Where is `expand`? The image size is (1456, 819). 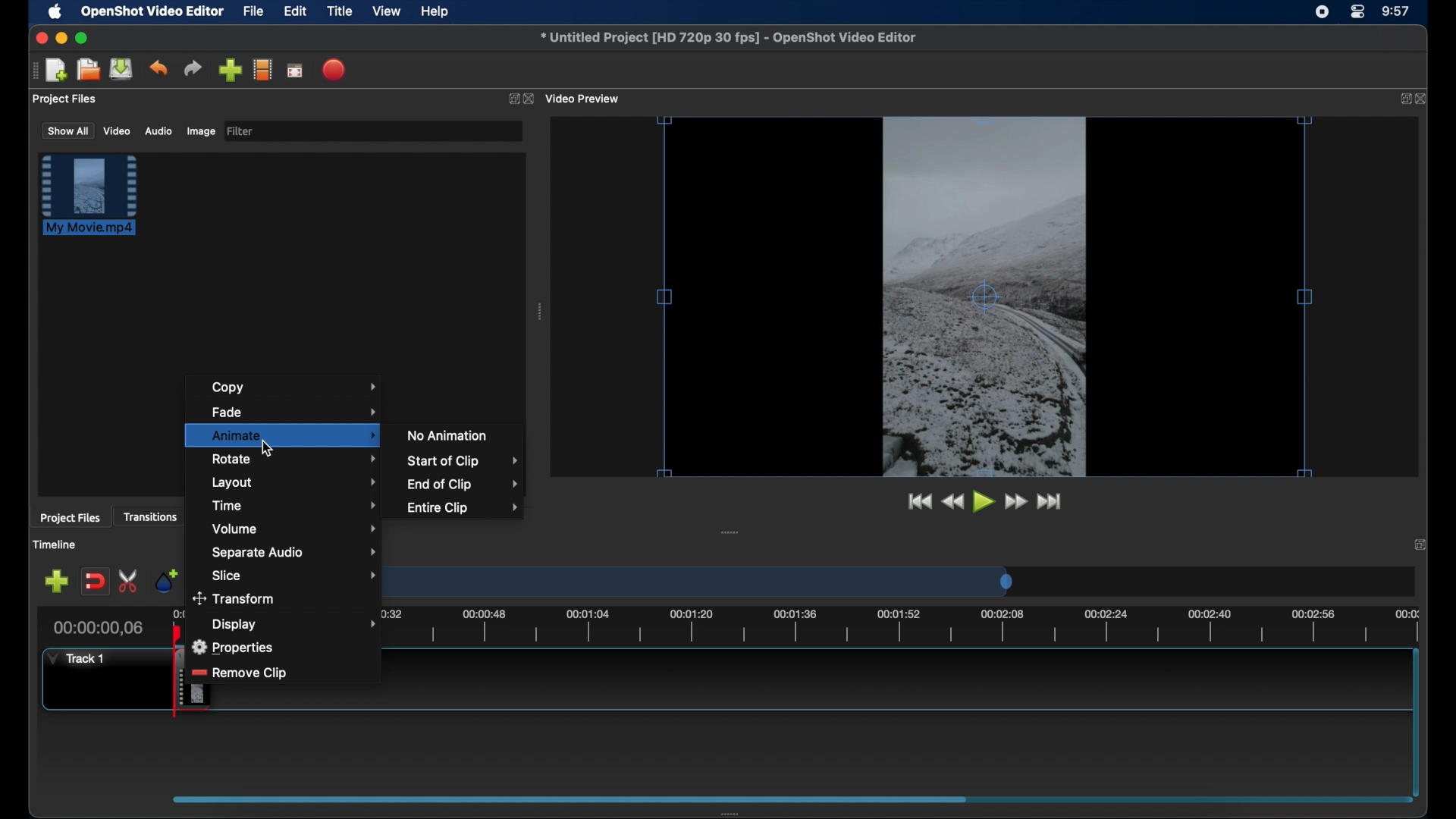 expand is located at coordinates (1401, 99).